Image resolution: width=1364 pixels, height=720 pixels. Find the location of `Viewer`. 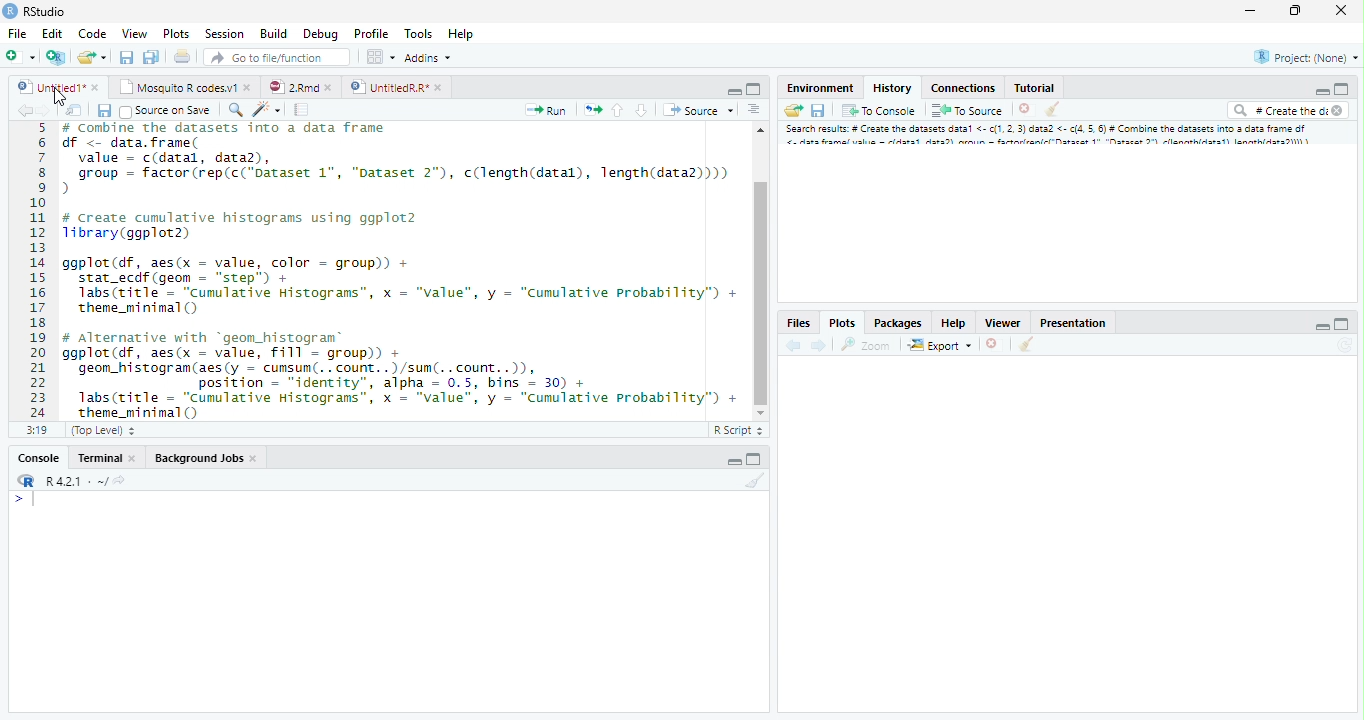

Viewer is located at coordinates (1002, 323).